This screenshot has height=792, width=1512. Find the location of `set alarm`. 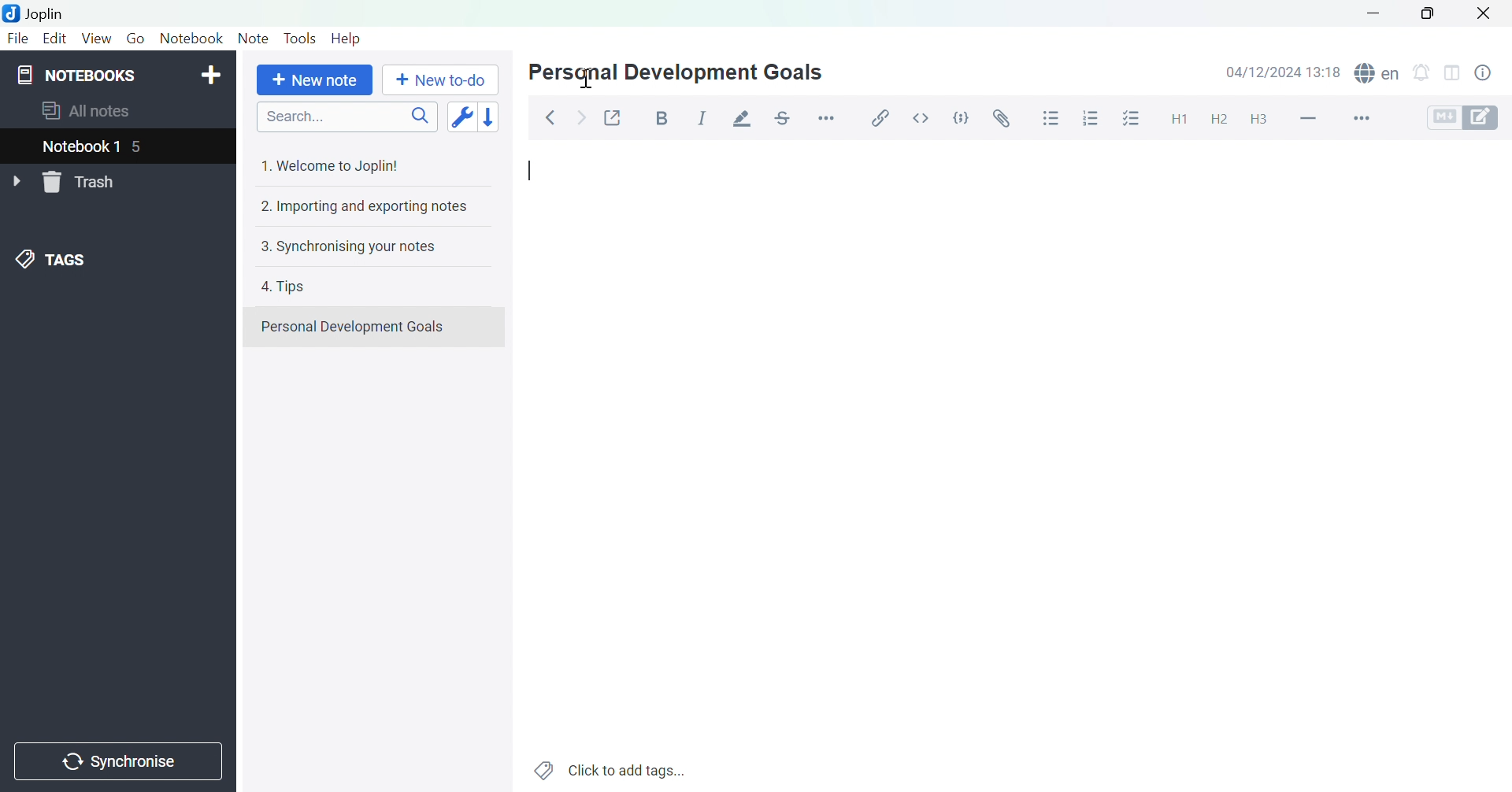

set alarm is located at coordinates (1425, 76).